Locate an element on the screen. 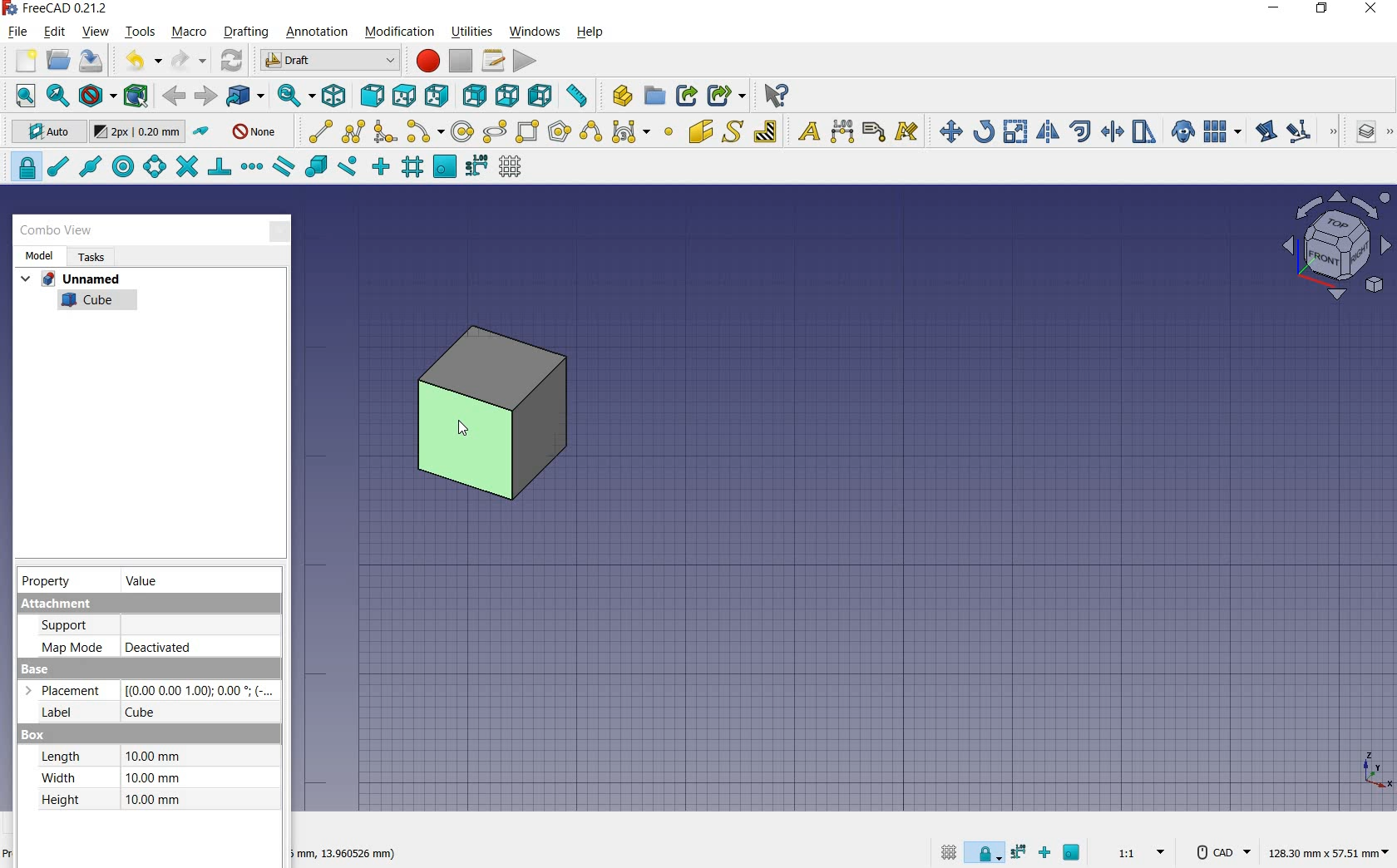 The width and height of the screenshot is (1397, 868). Map mode is located at coordinates (72, 646).